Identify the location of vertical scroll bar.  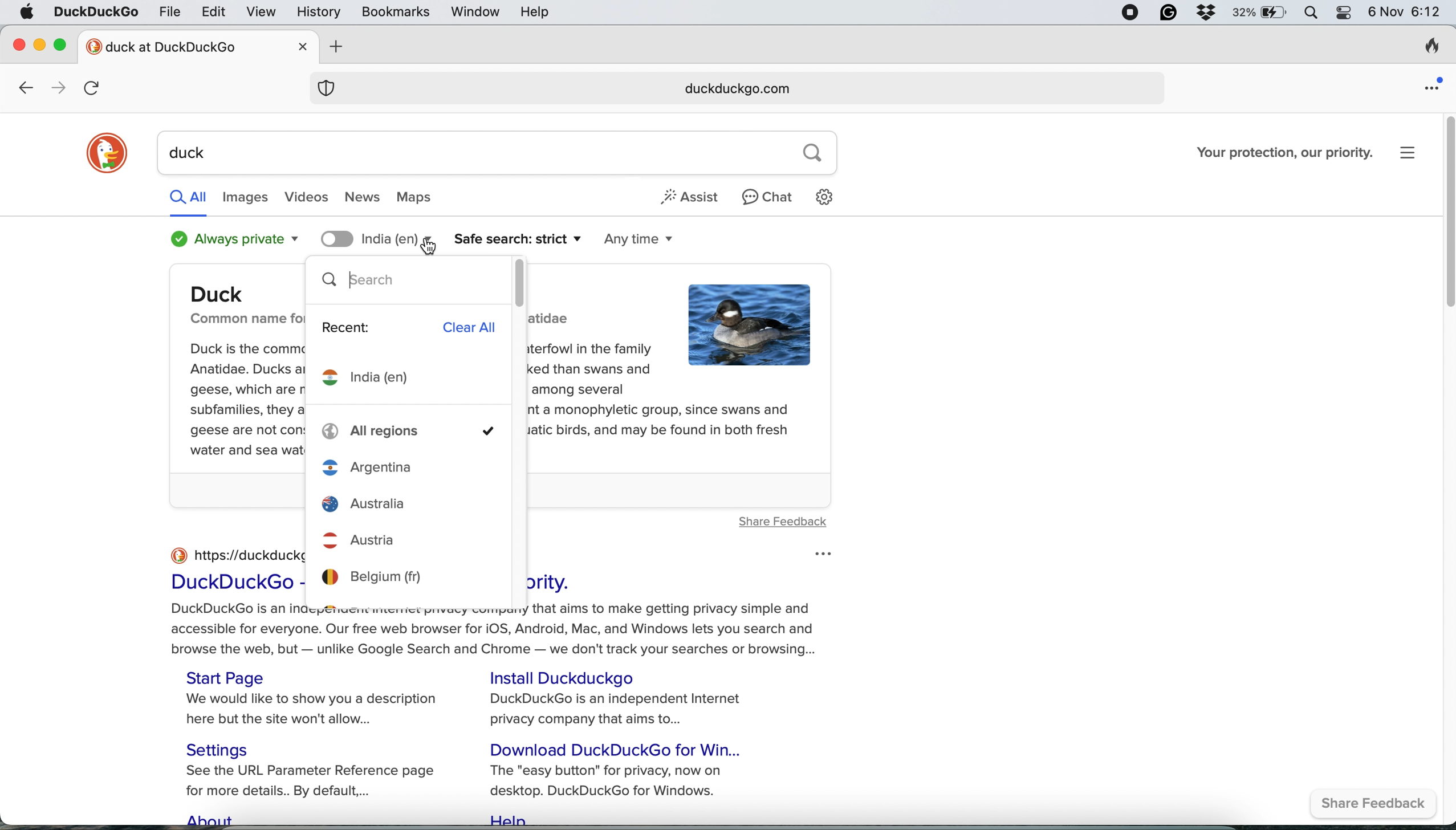
(520, 282).